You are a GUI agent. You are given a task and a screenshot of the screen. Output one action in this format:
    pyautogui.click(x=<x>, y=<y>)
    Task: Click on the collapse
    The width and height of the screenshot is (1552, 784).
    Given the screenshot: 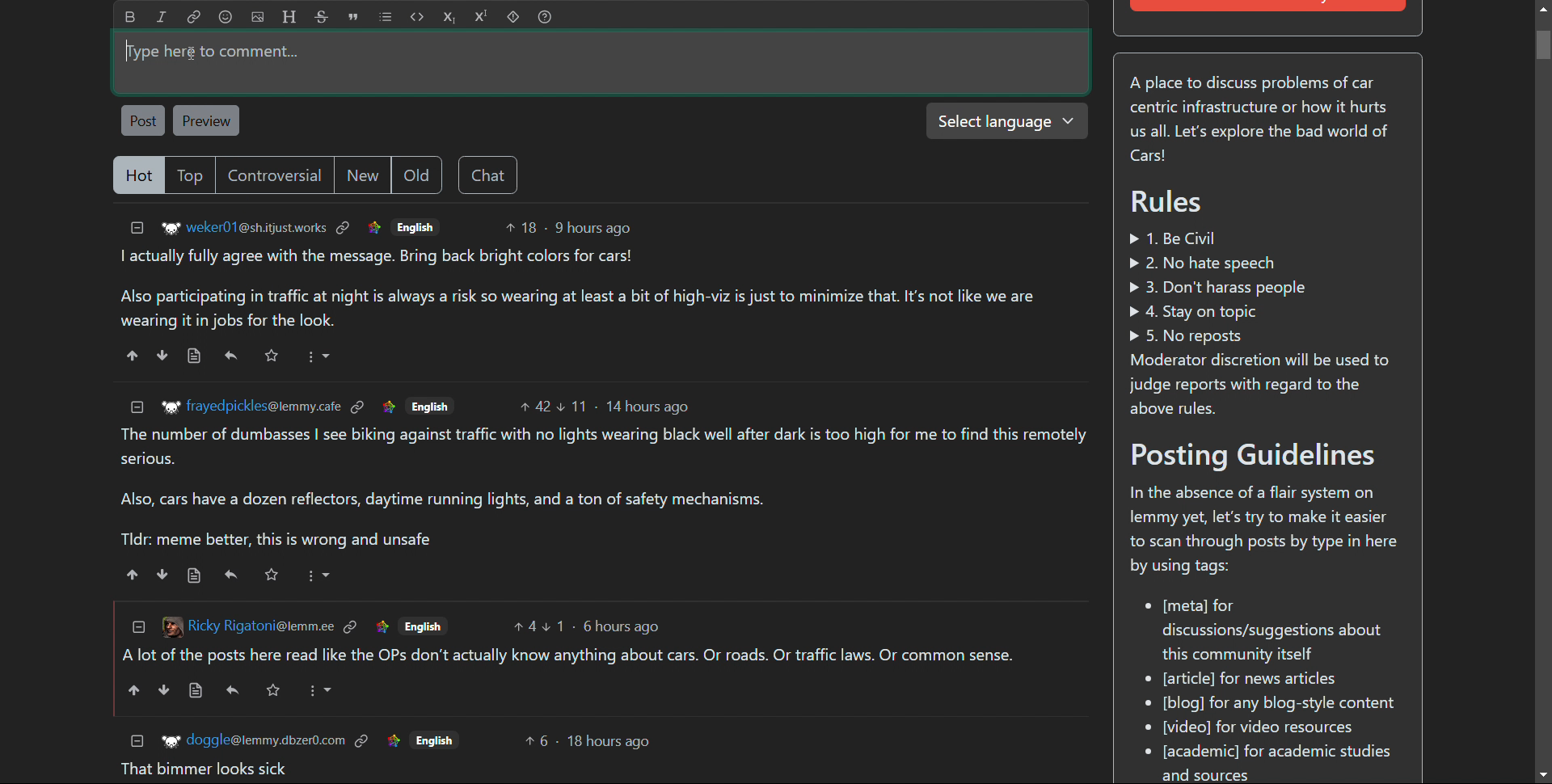 What is the action you would take?
    pyautogui.click(x=137, y=626)
    